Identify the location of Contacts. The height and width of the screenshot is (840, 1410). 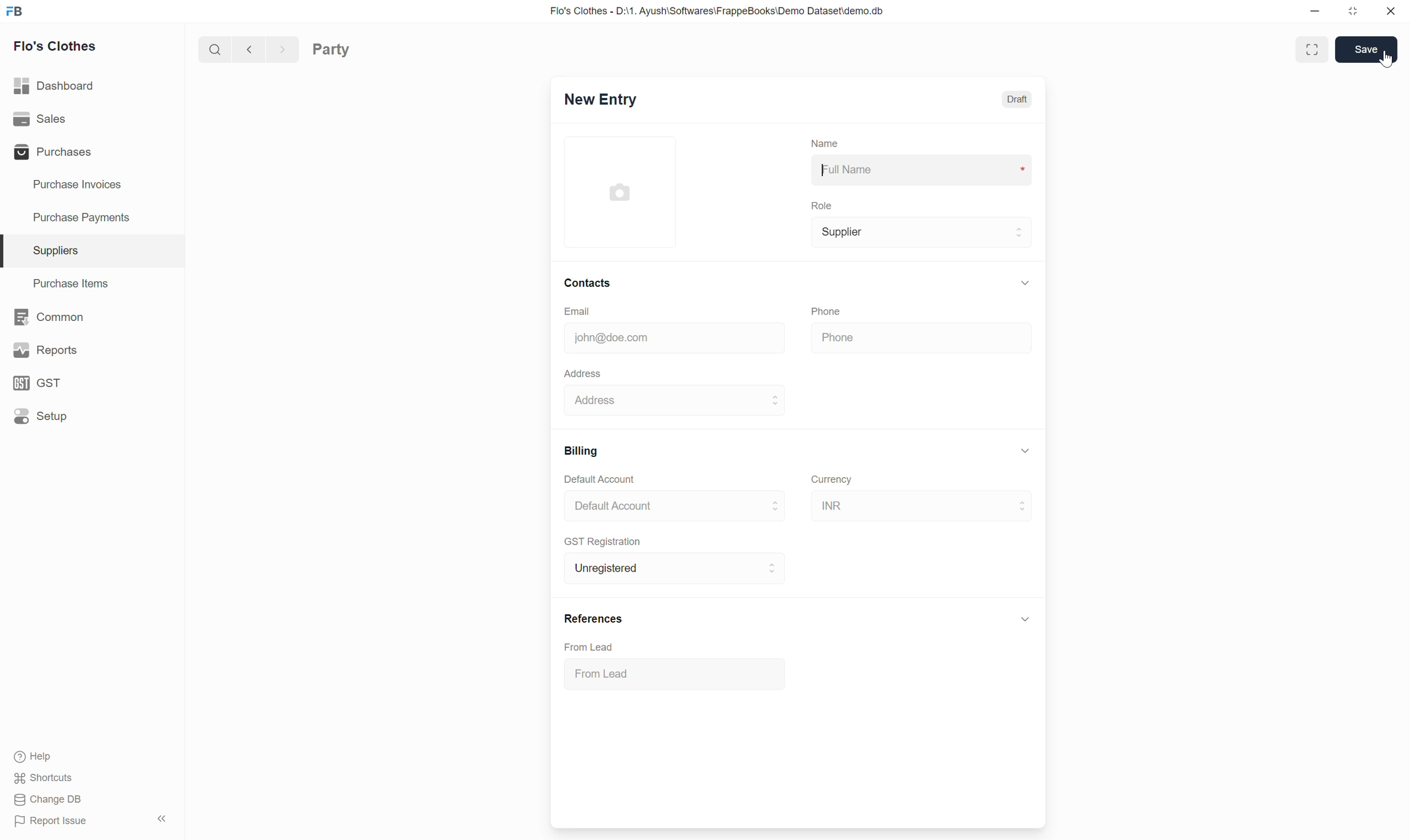
(588, 283).